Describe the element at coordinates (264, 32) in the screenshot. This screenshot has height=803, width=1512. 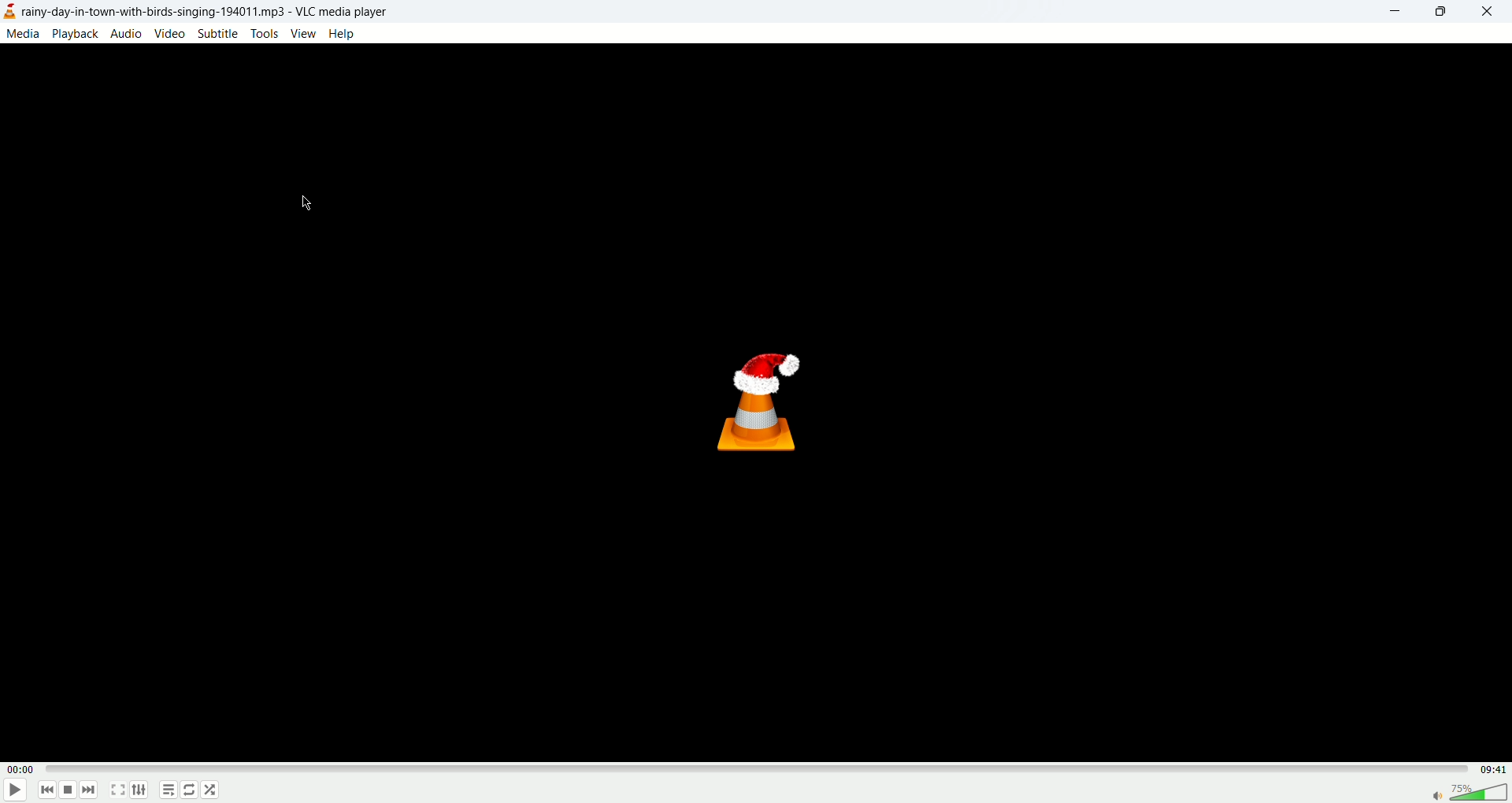
I see `tools` at that location.